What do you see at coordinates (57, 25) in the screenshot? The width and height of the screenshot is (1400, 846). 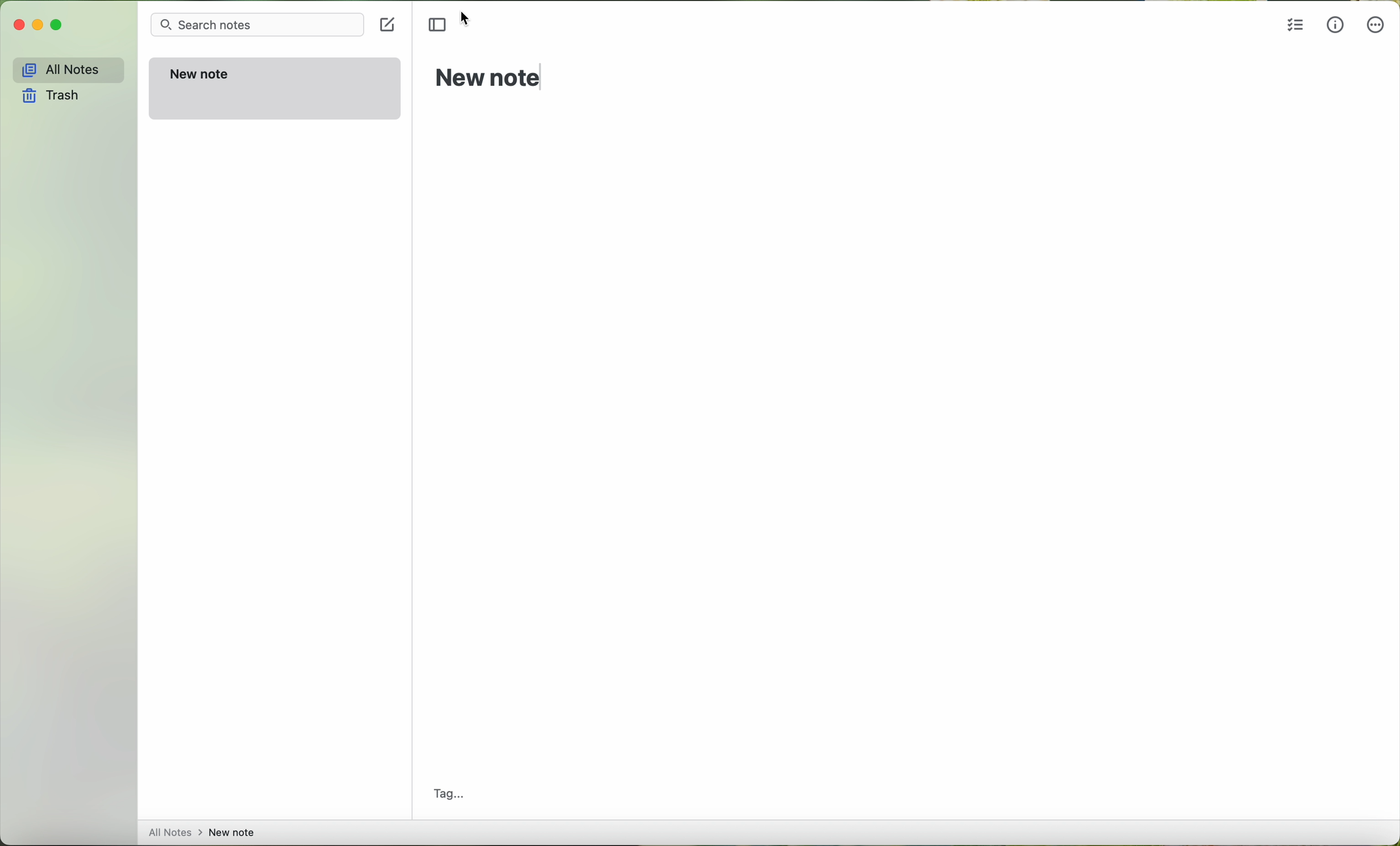 I see `maximize Simplenote` at bounding box center [57, 25].